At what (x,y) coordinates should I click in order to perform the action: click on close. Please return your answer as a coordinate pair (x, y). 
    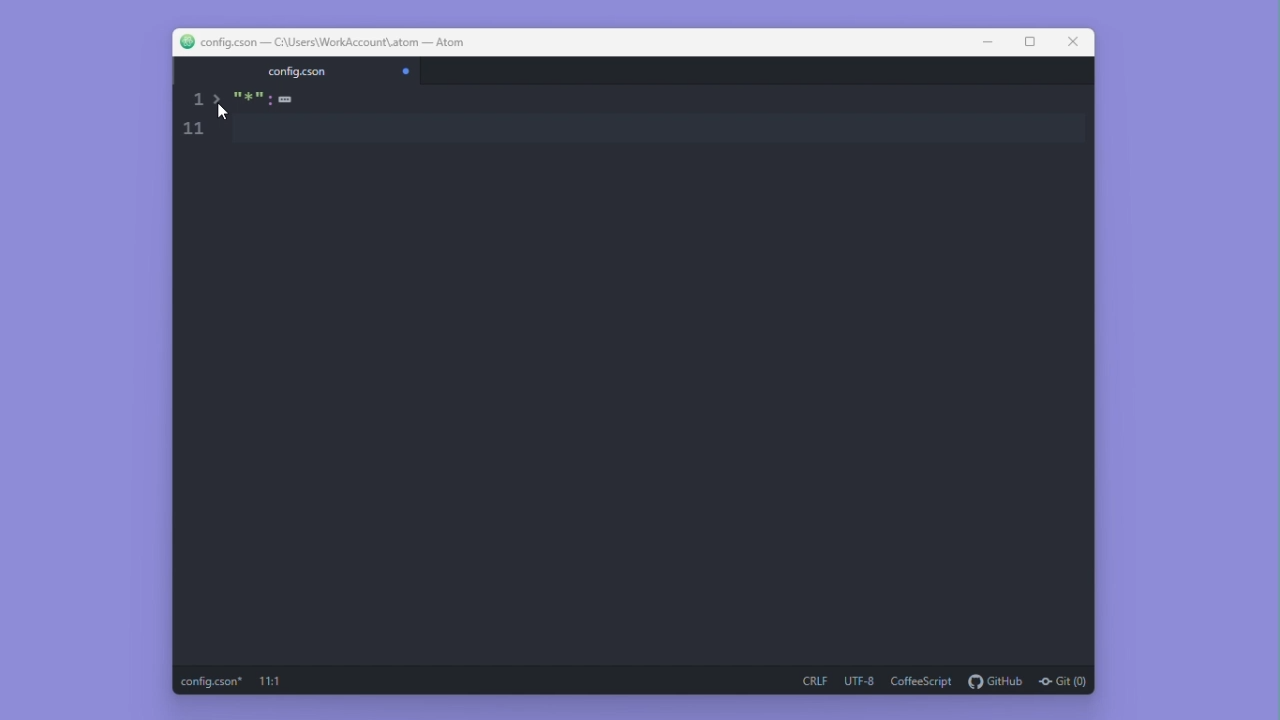
    Looking at the image, I should click on (1074, 43).